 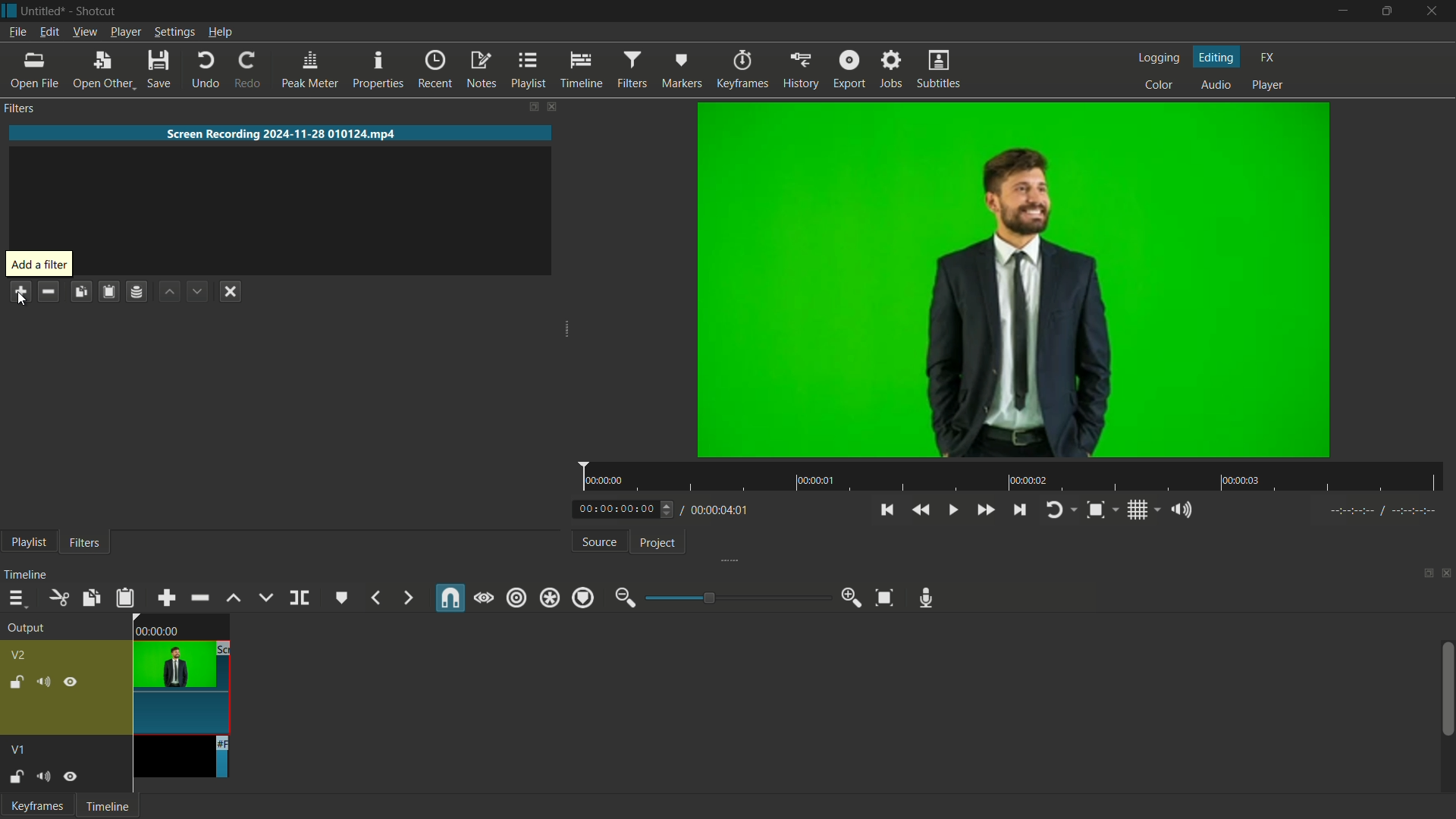 I want to click on skip to the previous point, so click(x=888, y=510).